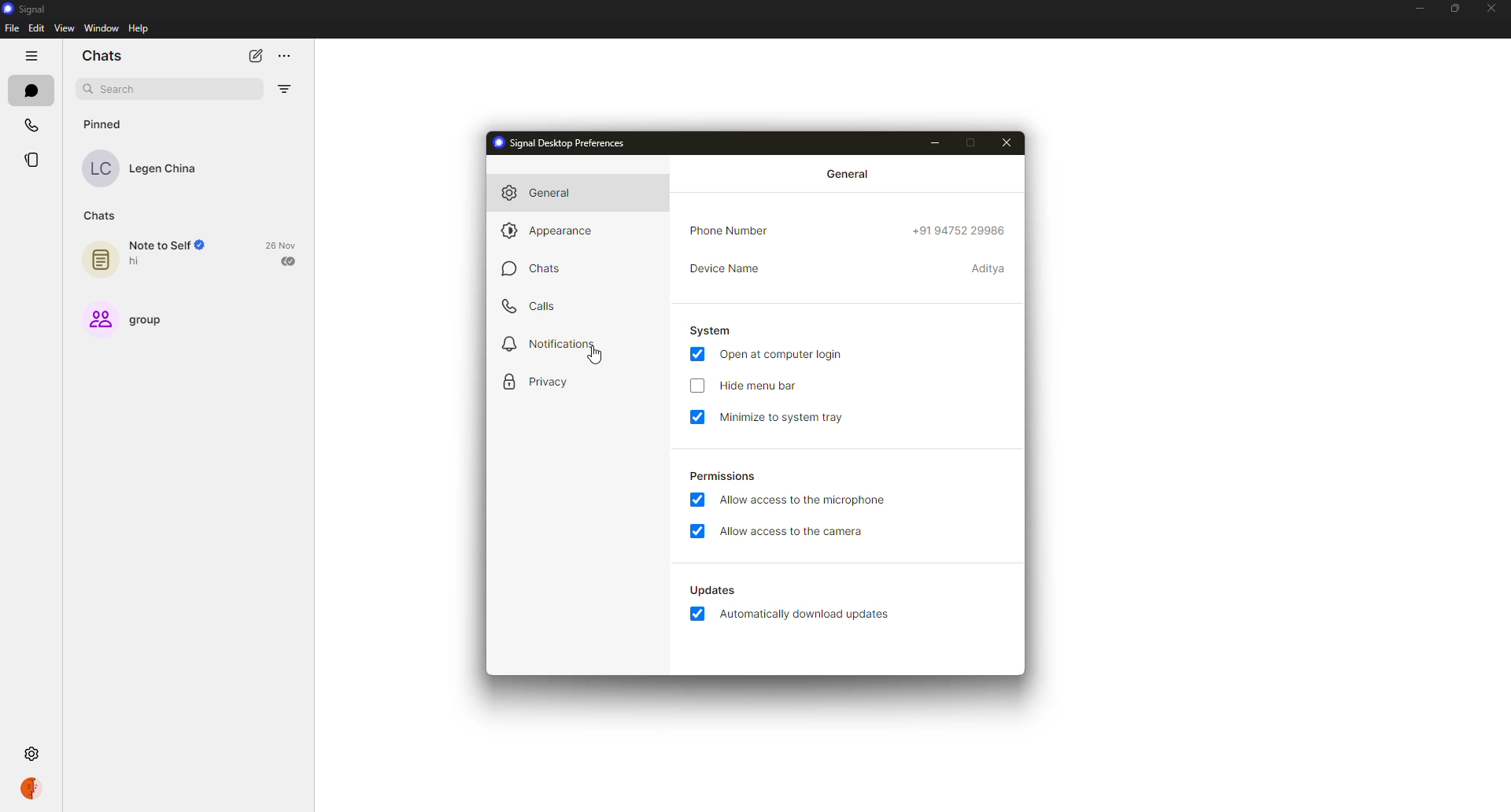  I want to click on enabled, so click(695, 416).